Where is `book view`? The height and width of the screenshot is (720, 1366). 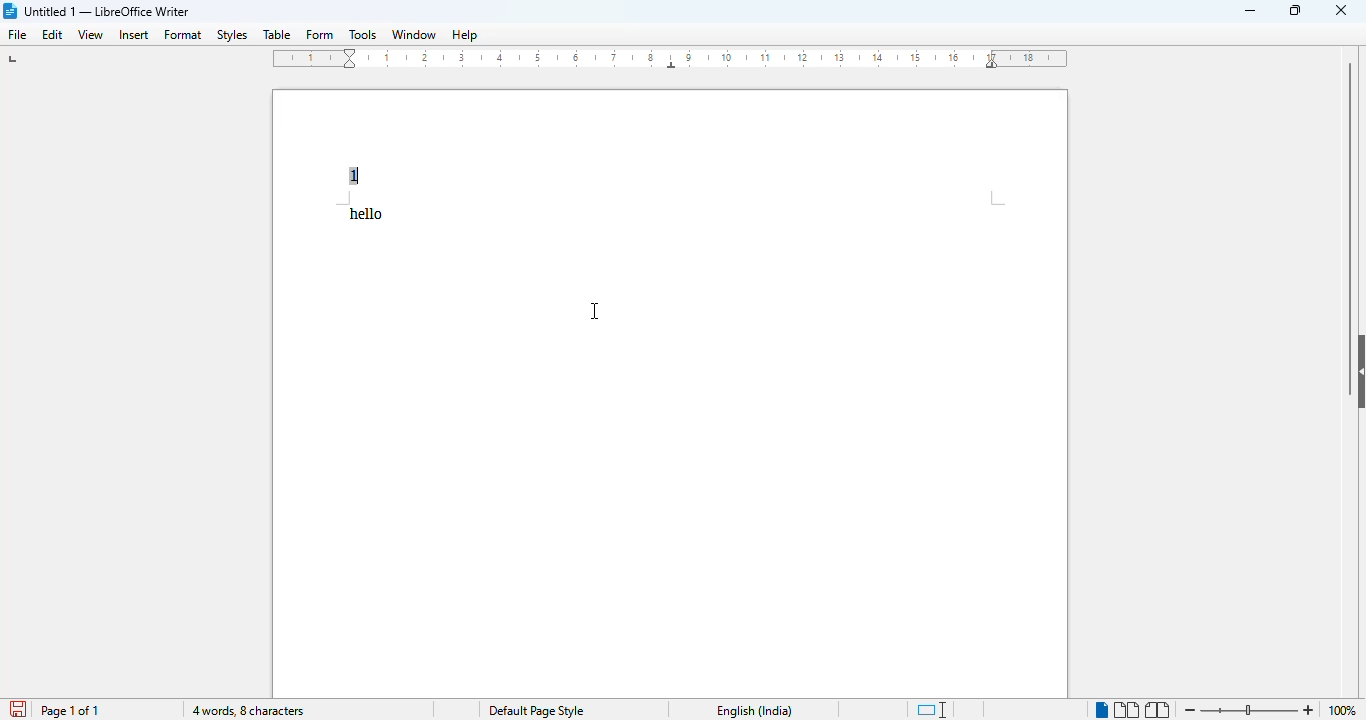 book view is located at coordinates (1158, 710).